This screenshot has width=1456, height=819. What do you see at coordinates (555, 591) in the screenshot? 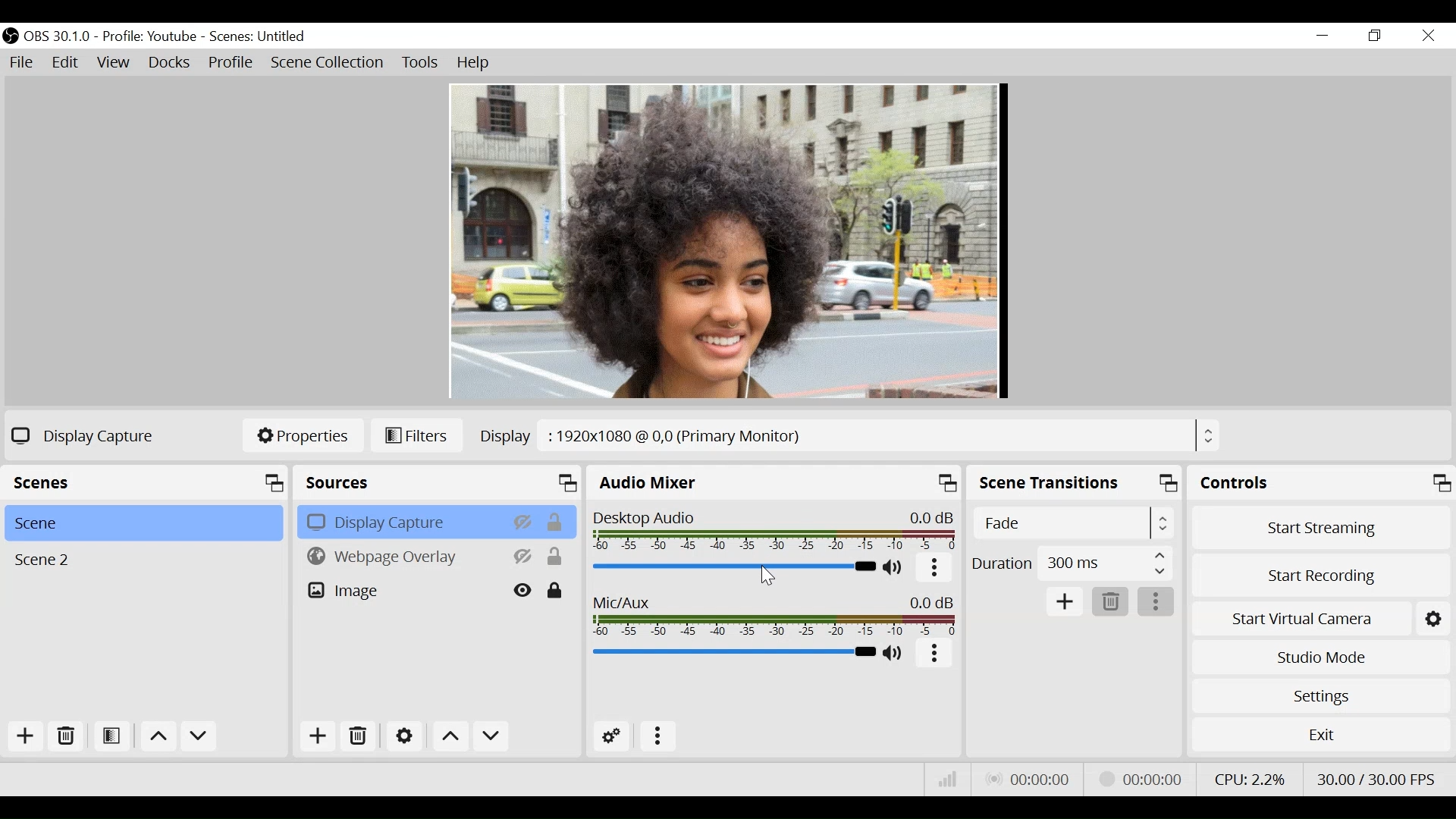
I see `(un)lock` at bounding box center [555, 591].